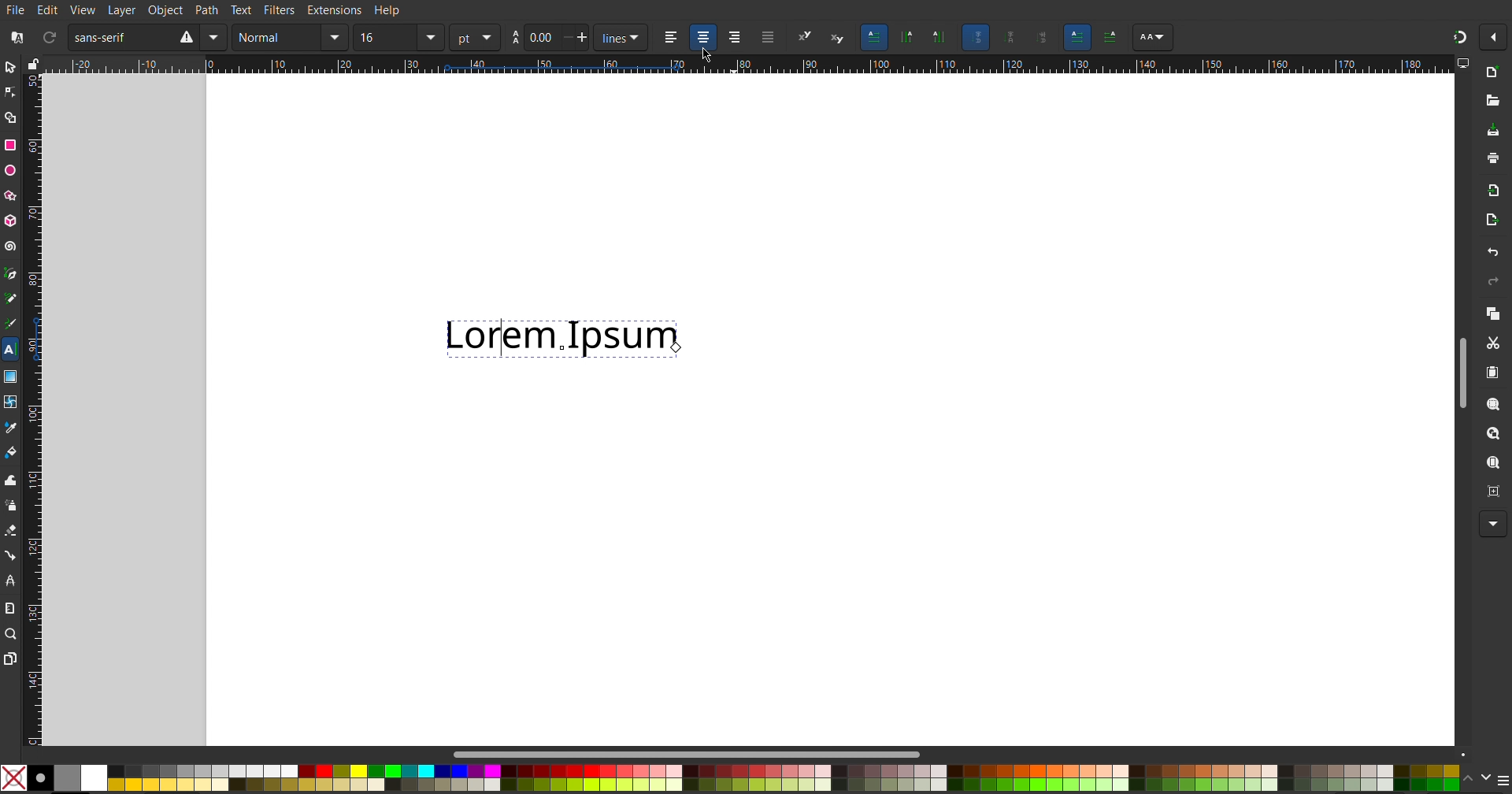  I want to click on Path, so click(206, 11).